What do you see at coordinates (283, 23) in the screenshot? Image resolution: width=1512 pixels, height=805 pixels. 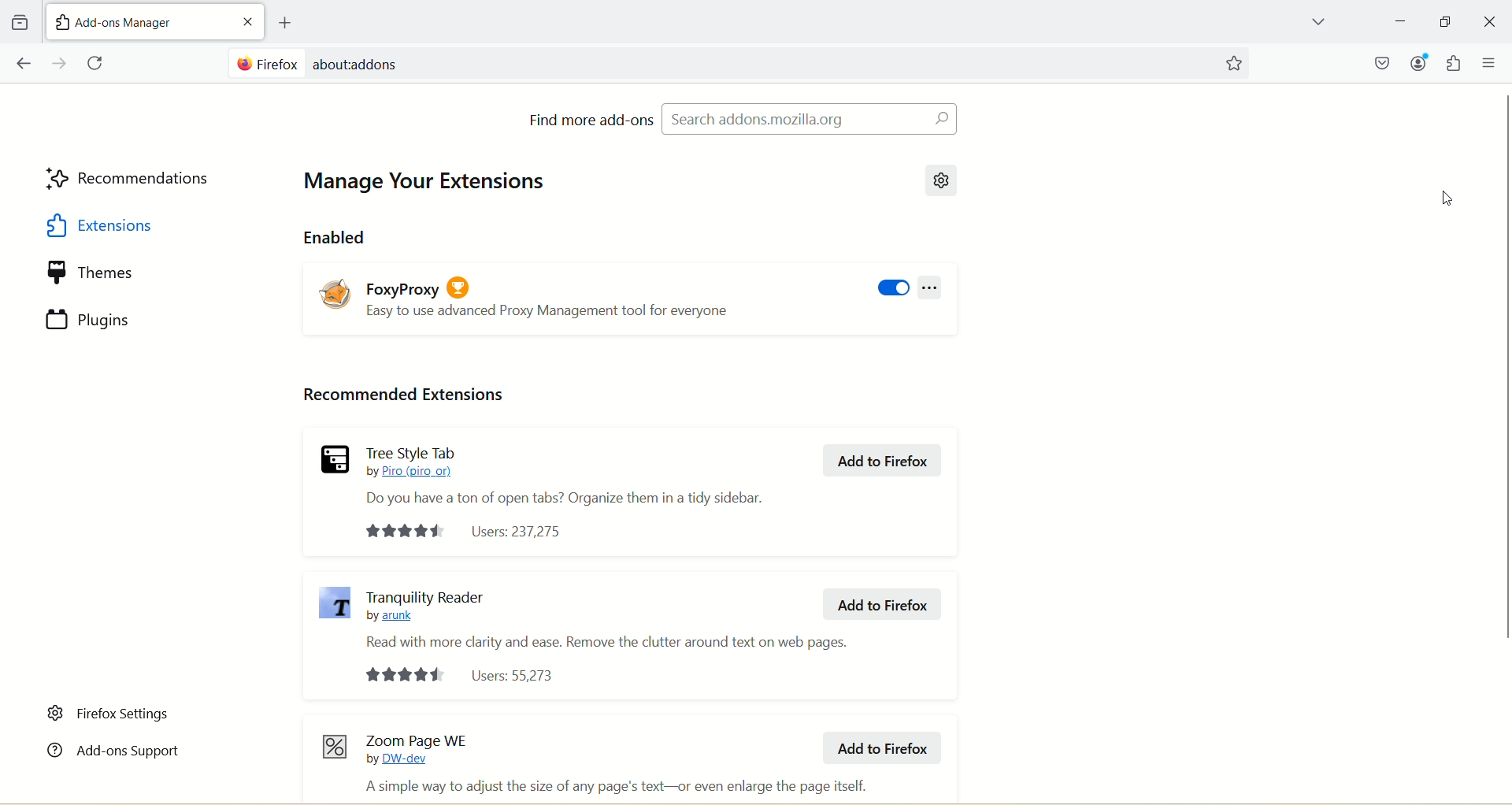 I see `Add Page` at bounding box center [283, 23].